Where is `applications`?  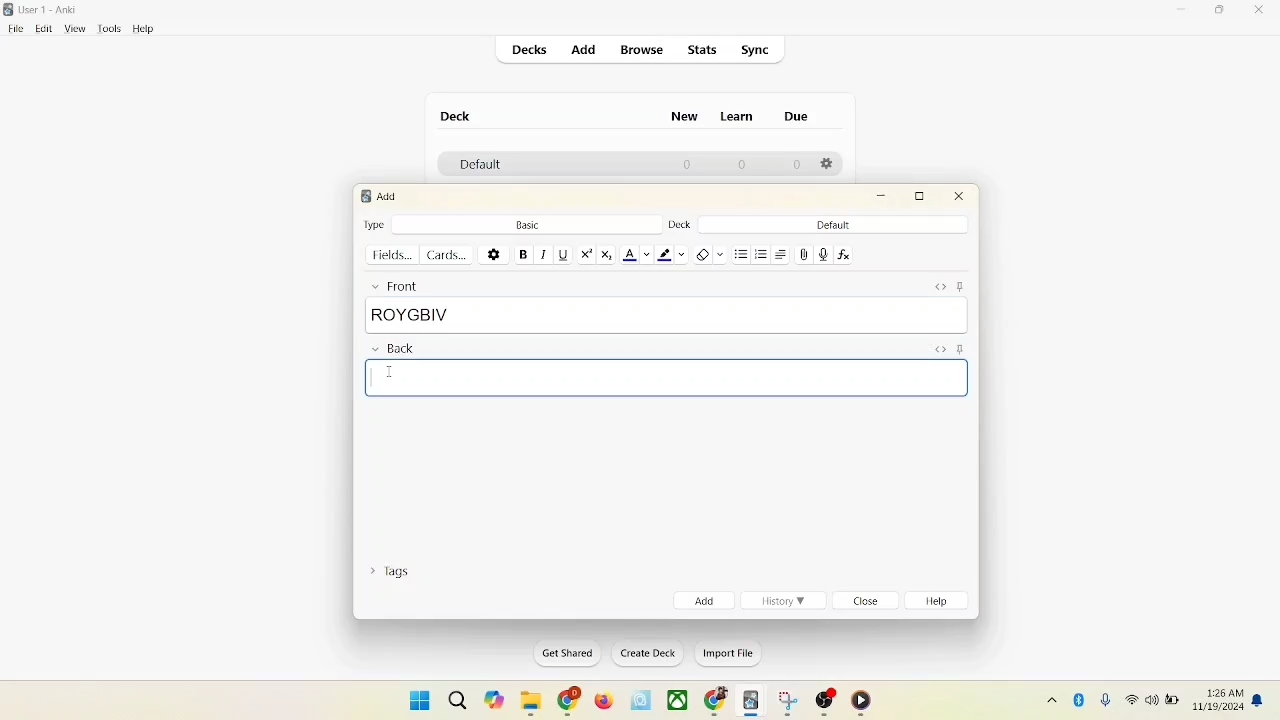
applications is located at coordinates (678, 701).